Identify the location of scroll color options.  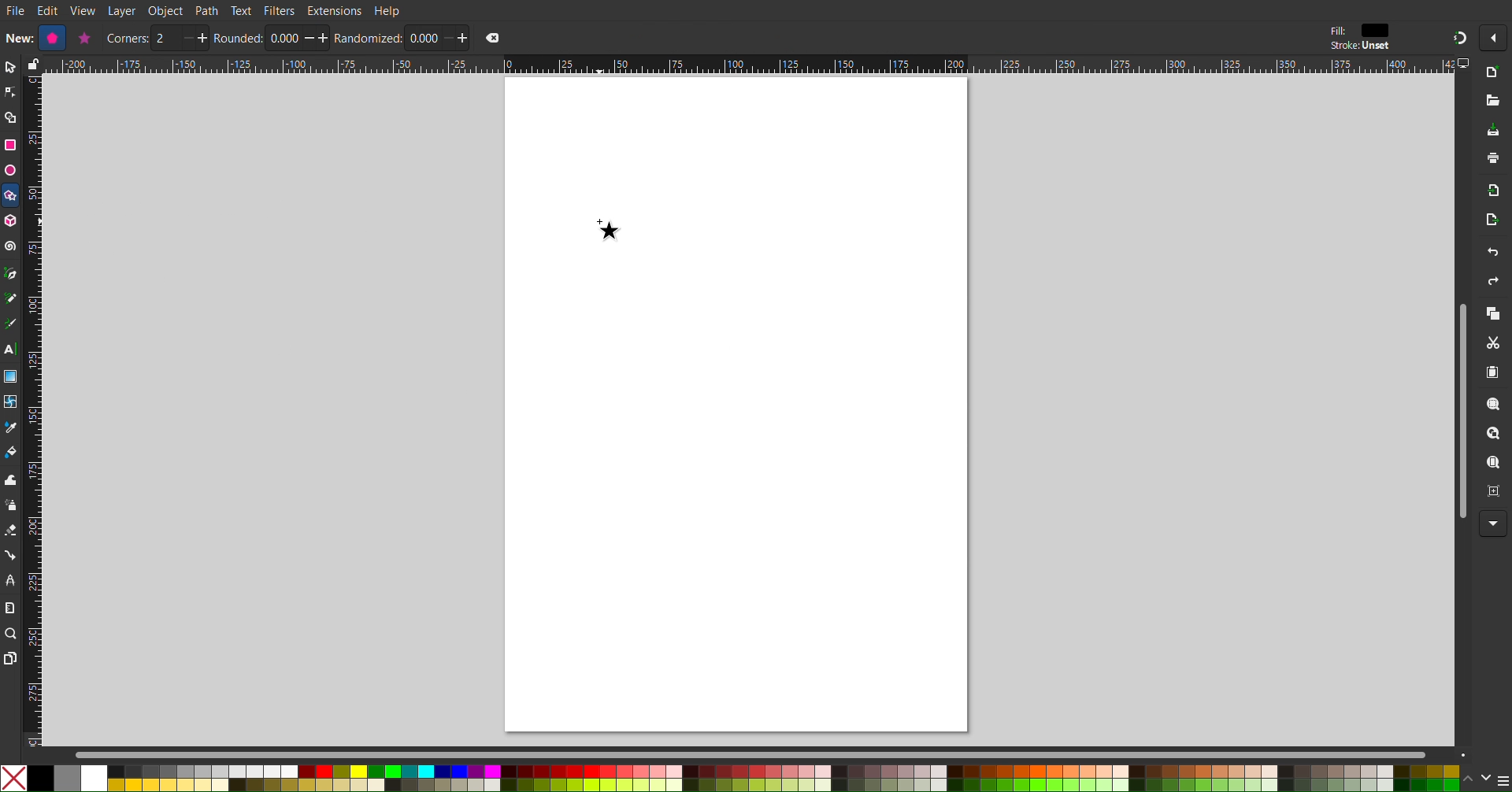
(1476, 778).